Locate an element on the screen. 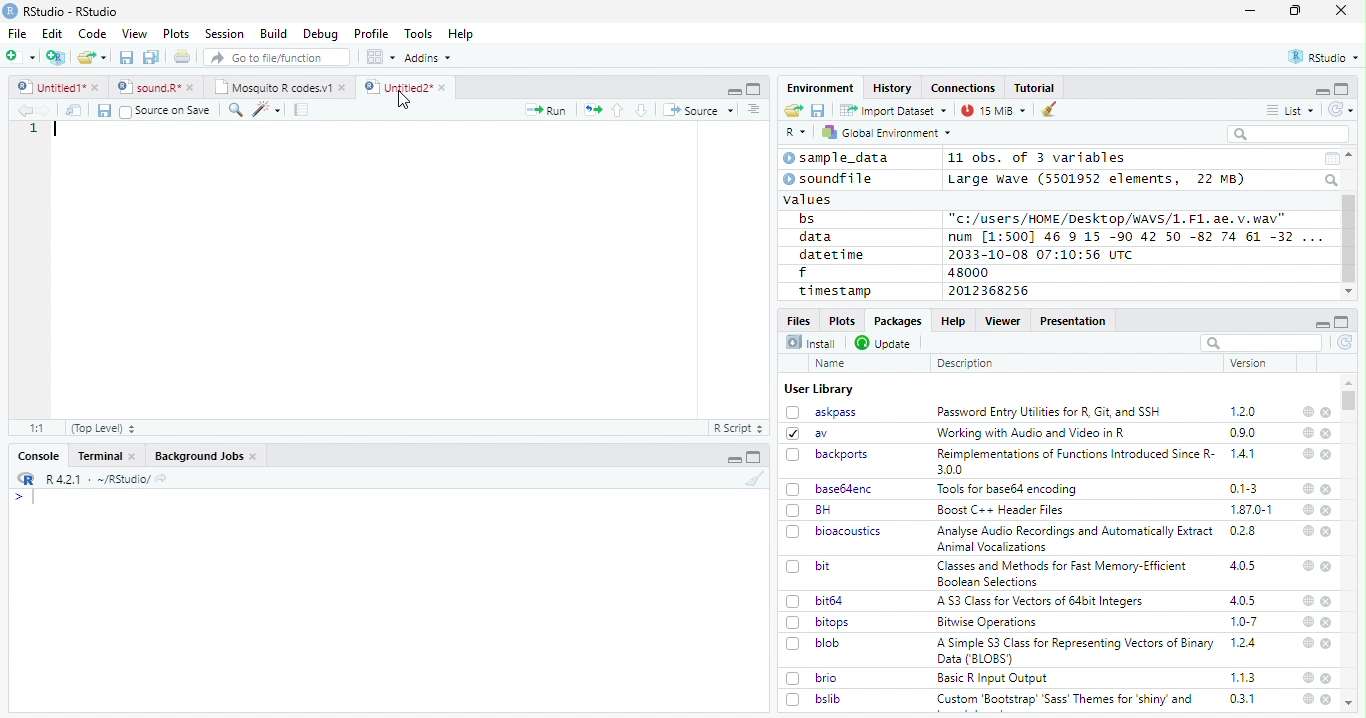 Image resolution: width=1366 pixels, height=718 pixels. Packages is located at coordinates (896, 321).